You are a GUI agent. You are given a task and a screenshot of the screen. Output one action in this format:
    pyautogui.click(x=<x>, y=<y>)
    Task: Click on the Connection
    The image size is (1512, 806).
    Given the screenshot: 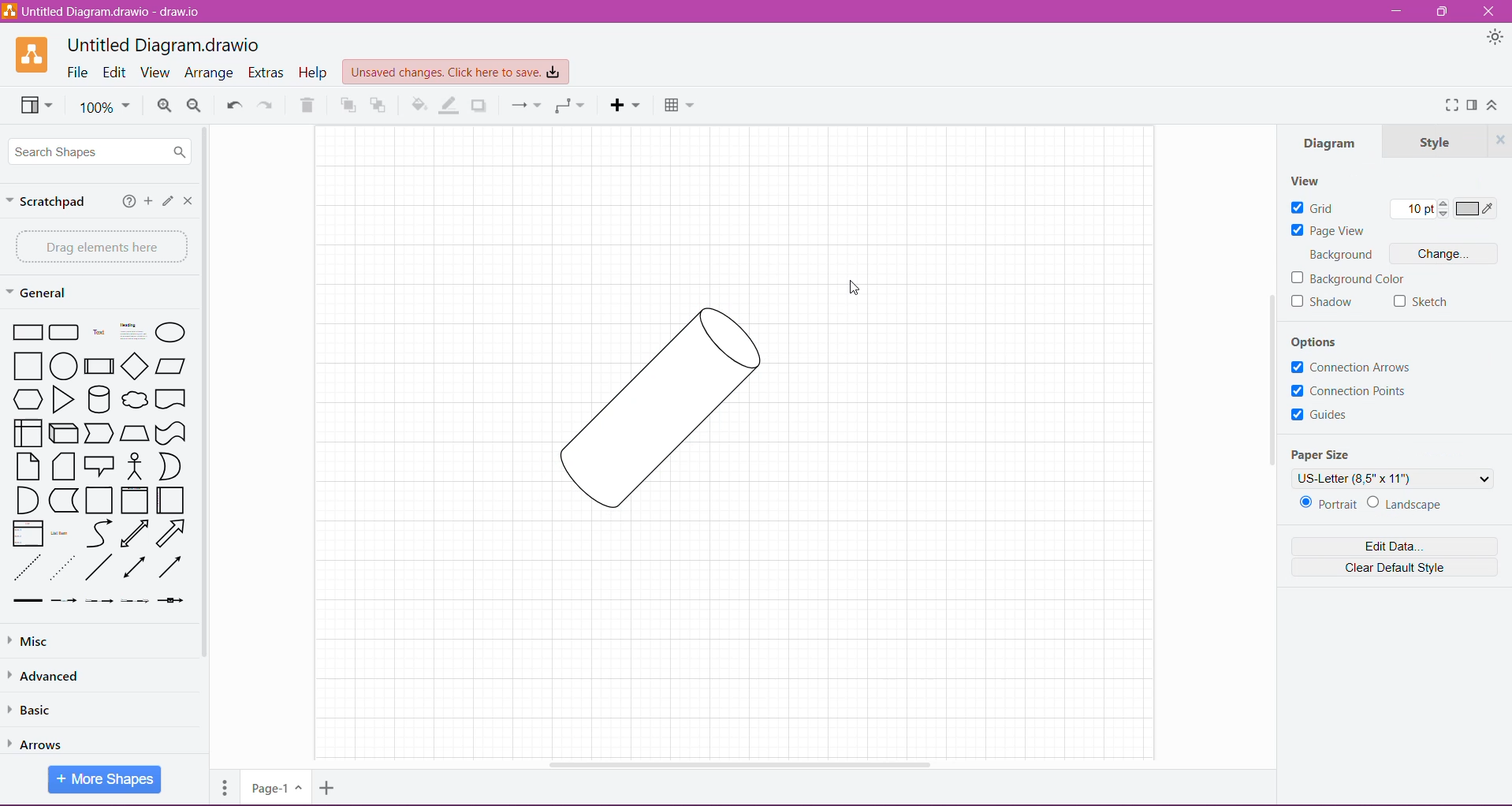 What is the action you would take?
    pyautogui.click(x=523, y=106)
    